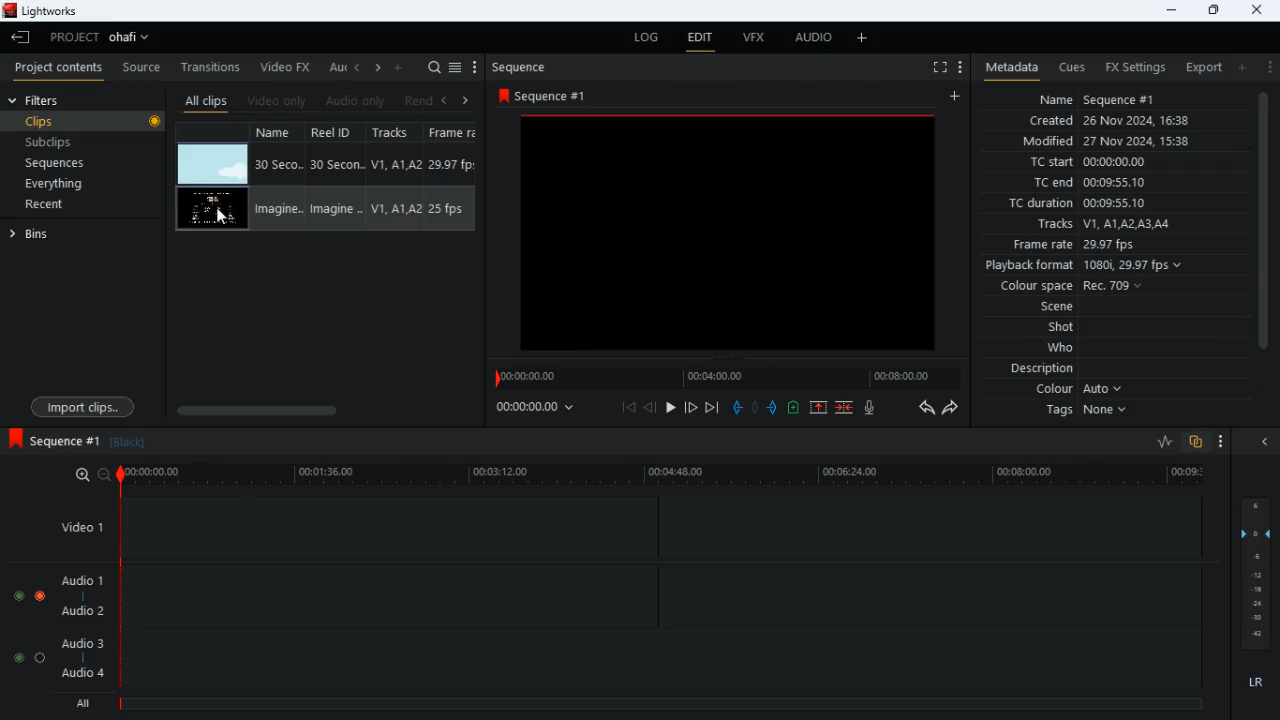 The image size is (1280, 720). I want to click on video only, so click(280, 98).